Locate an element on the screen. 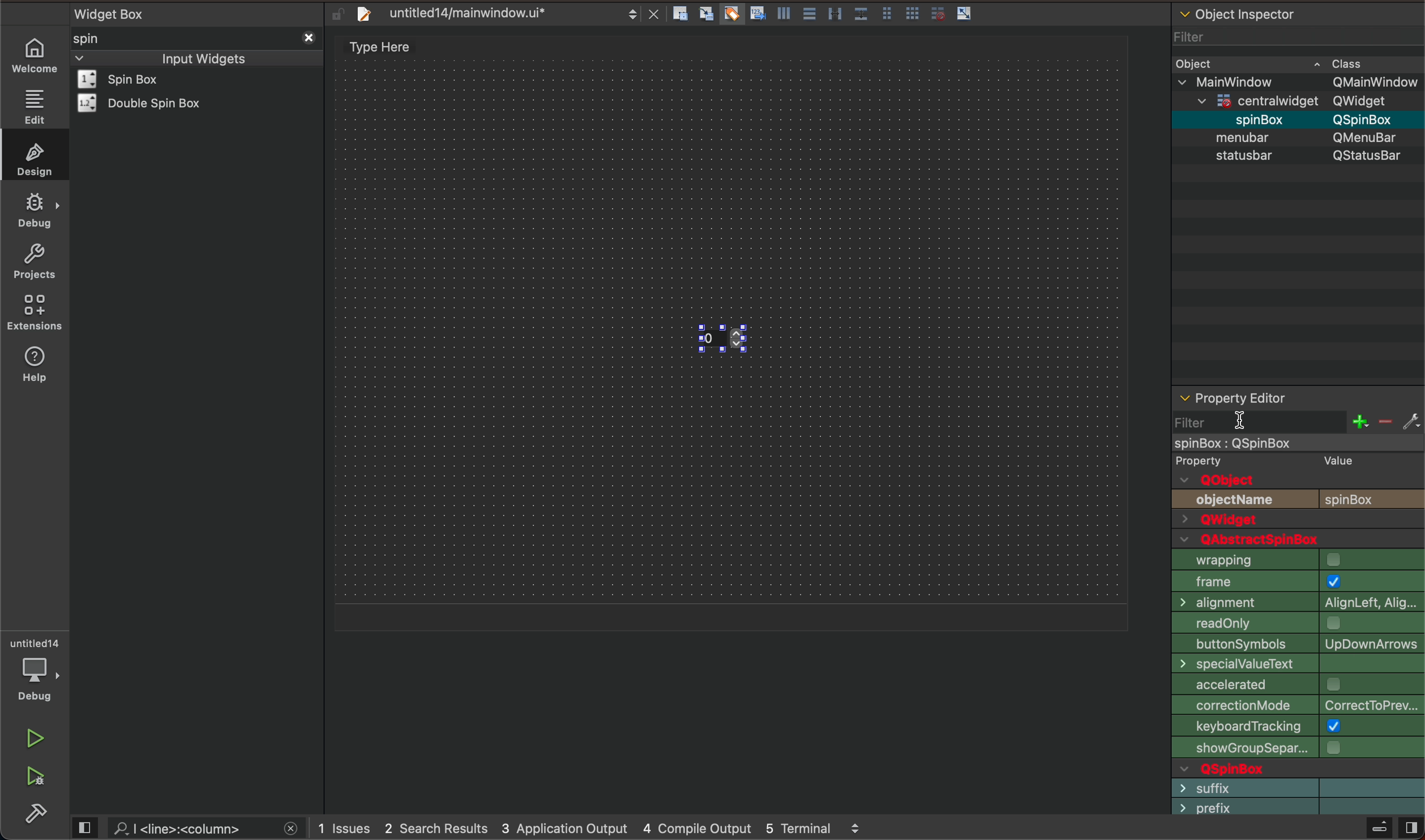 Image resolution: width=1425 pixels, height=840 pixels. debug is located at coordinates (35, 211).